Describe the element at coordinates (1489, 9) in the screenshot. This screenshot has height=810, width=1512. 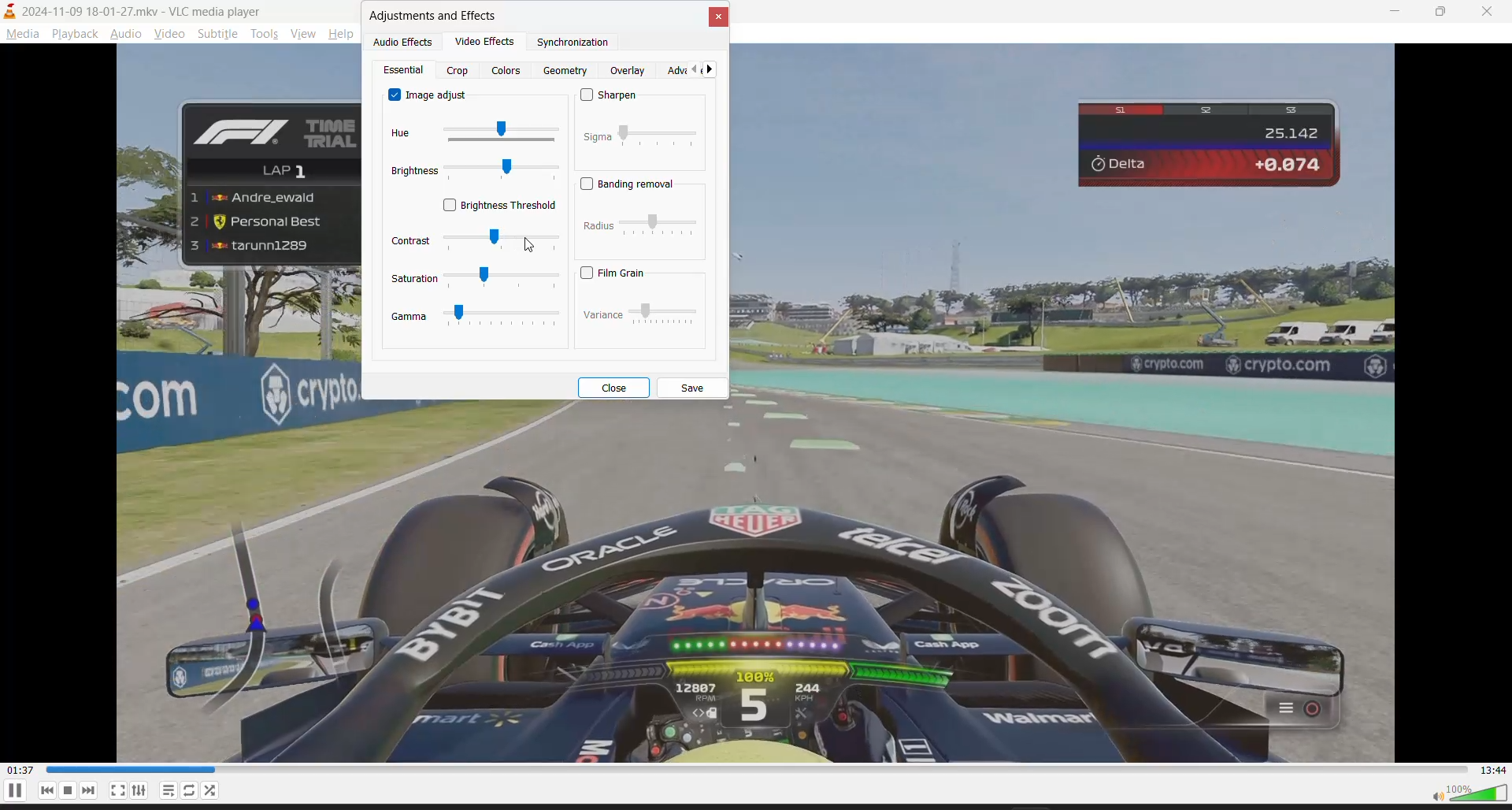
I see `close` at that location.